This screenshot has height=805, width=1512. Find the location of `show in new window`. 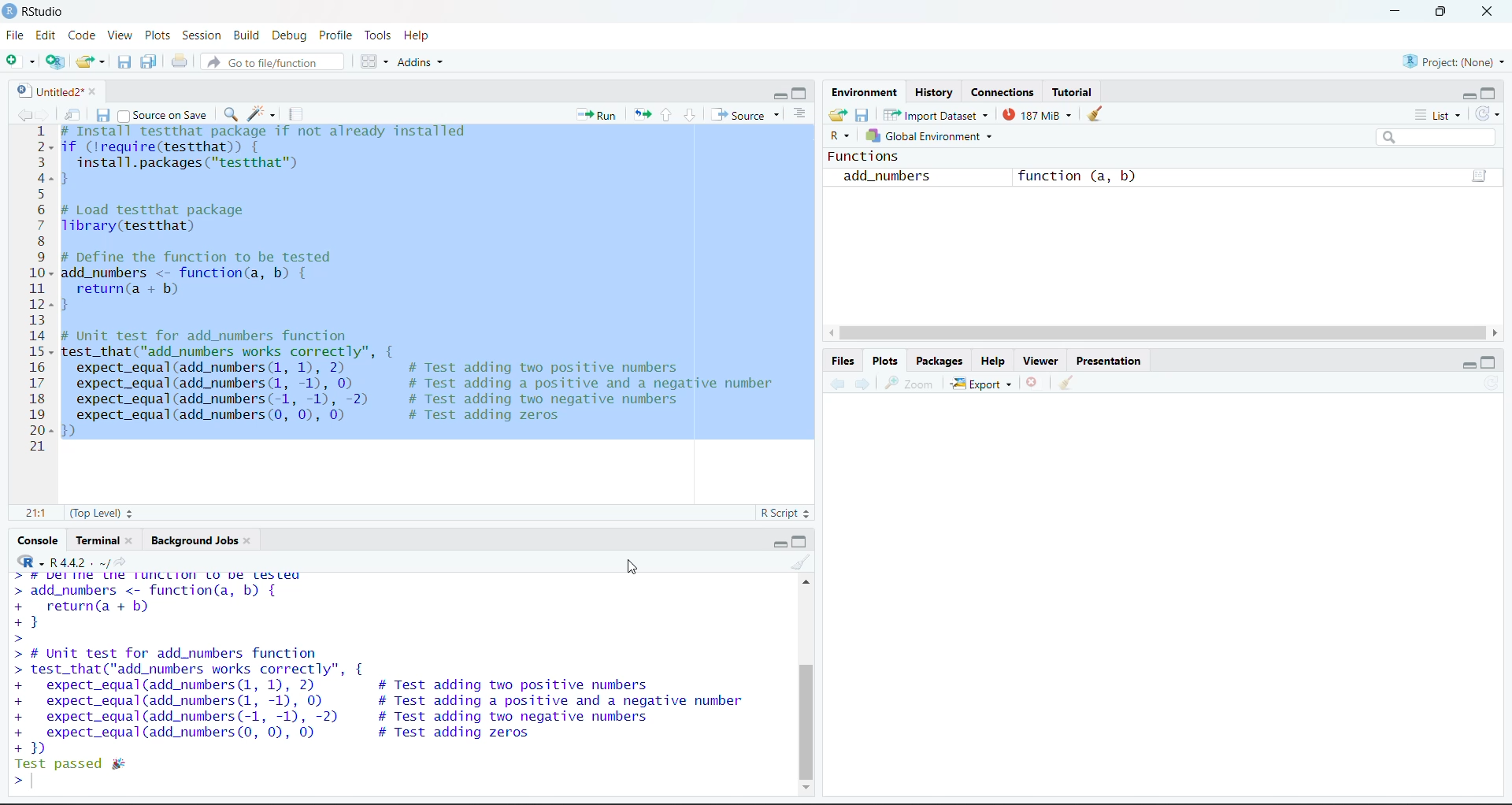

show in new window is located at coordinates (74, 115).